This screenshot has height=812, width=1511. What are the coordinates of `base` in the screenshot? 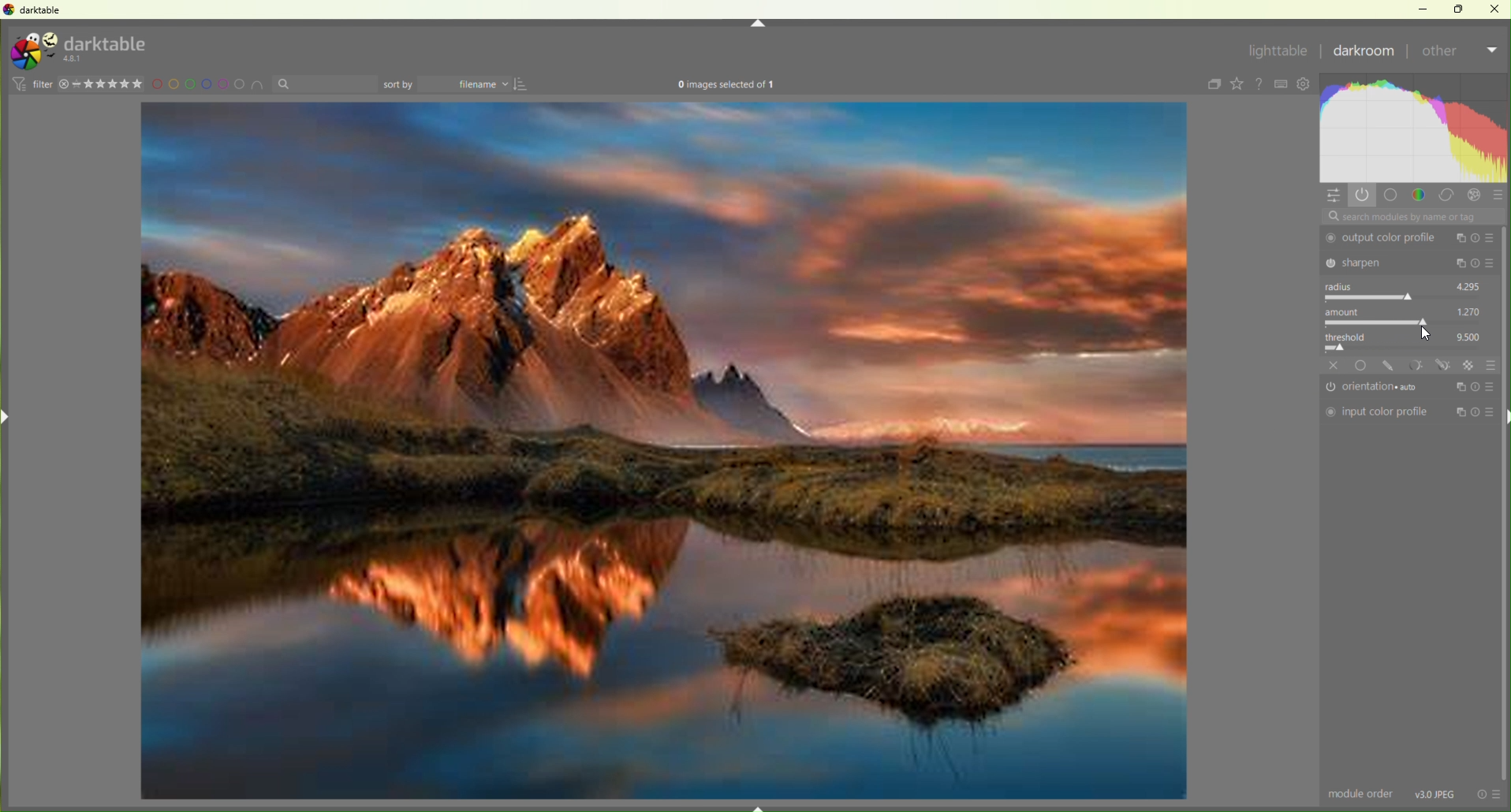 It's located at (1391, 195).